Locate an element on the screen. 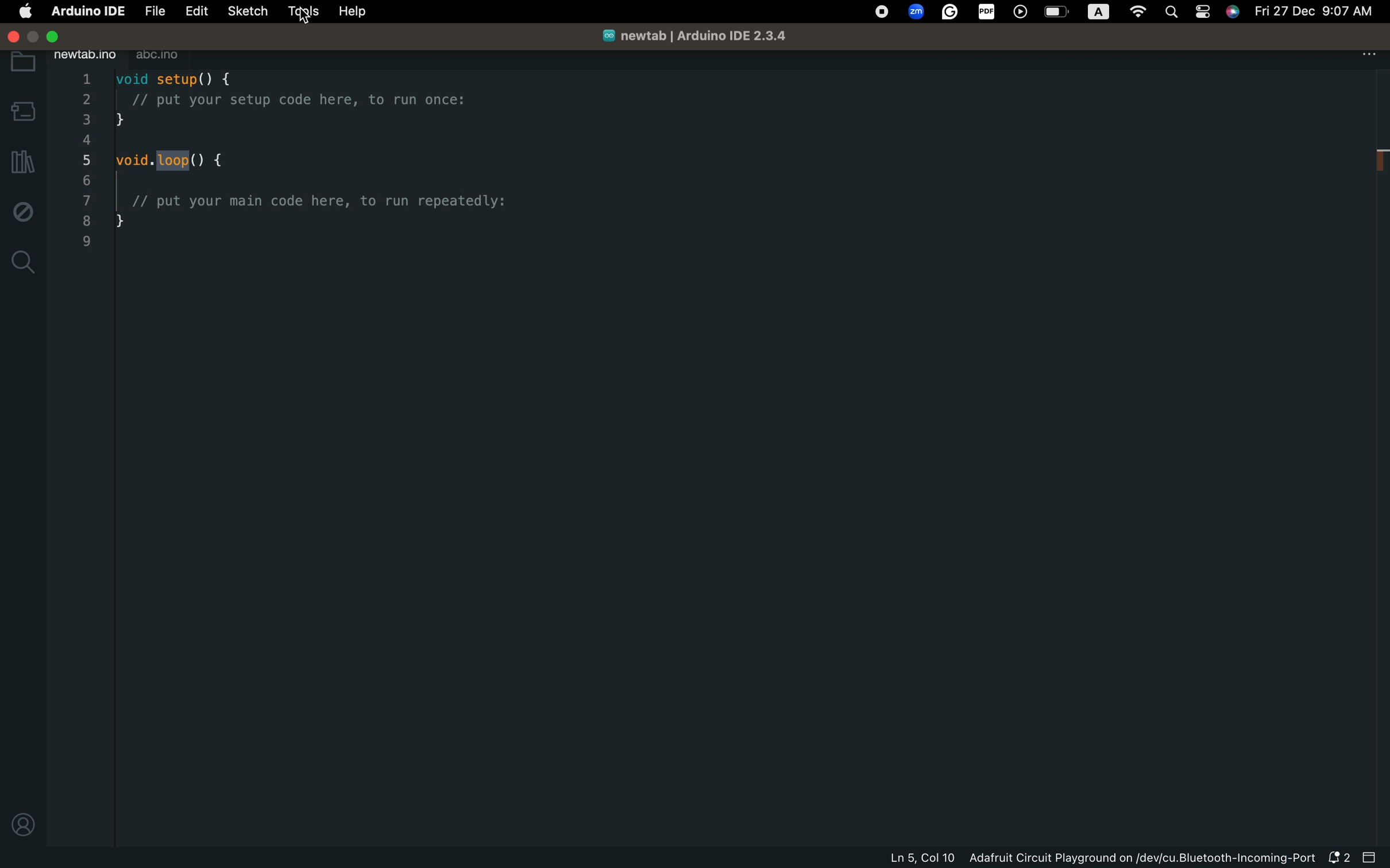 The height and width of the screenshot is (868, 1390). code is located at coordinates (318, 171).